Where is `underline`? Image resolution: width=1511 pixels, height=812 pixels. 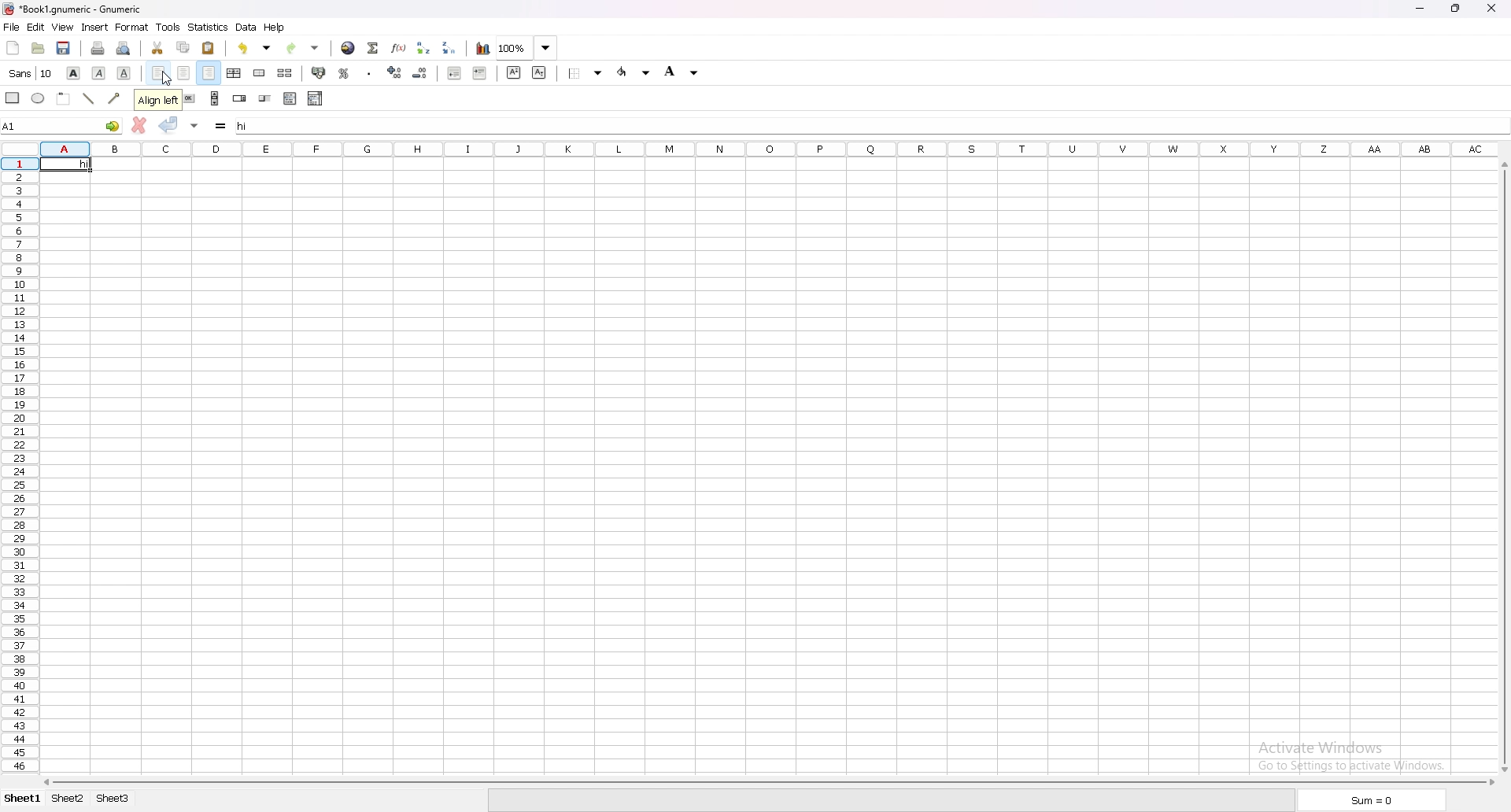 underline is located at coordinates (124, 73).